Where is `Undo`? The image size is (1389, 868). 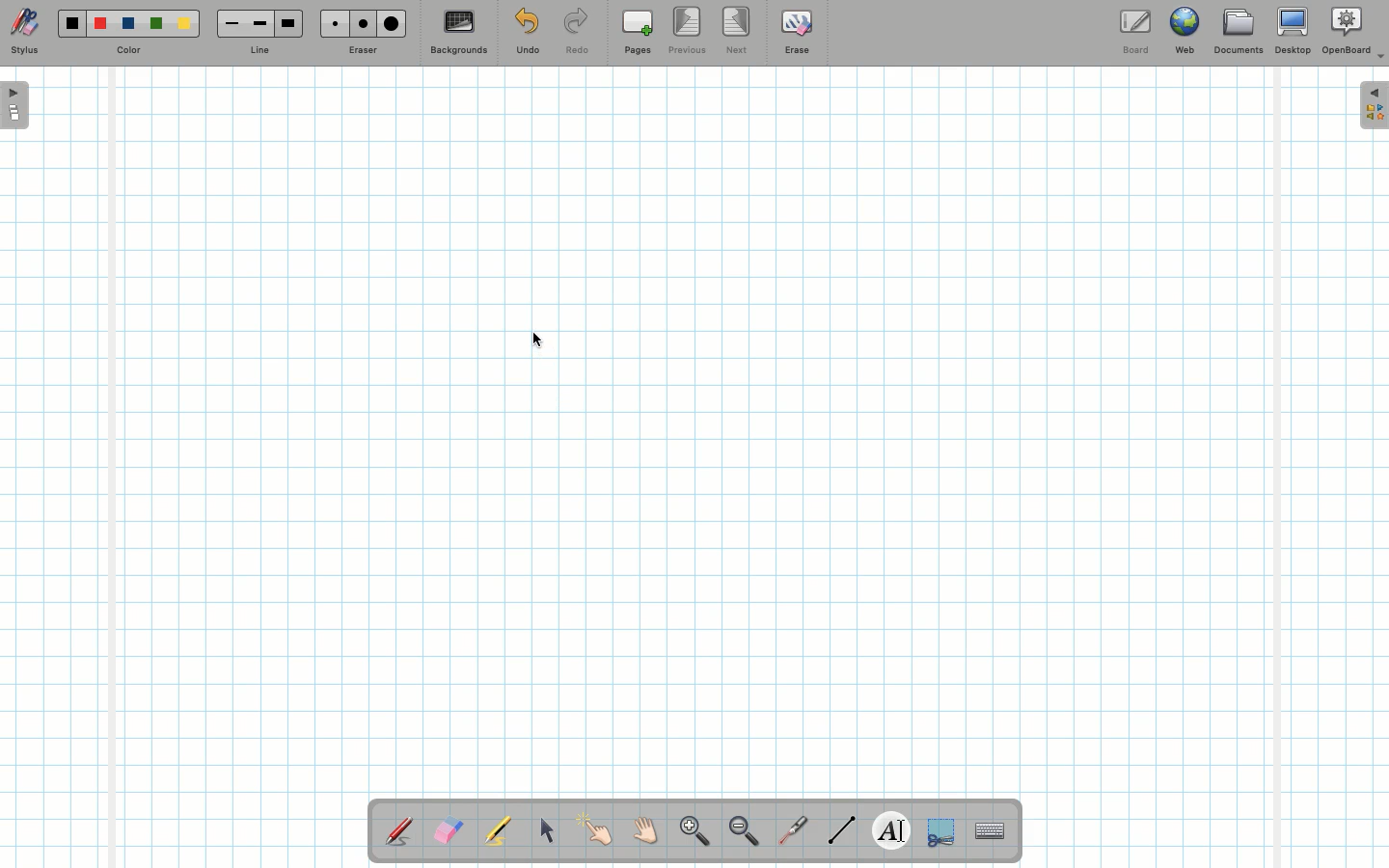 Undo is located at coordinates (527, 35).